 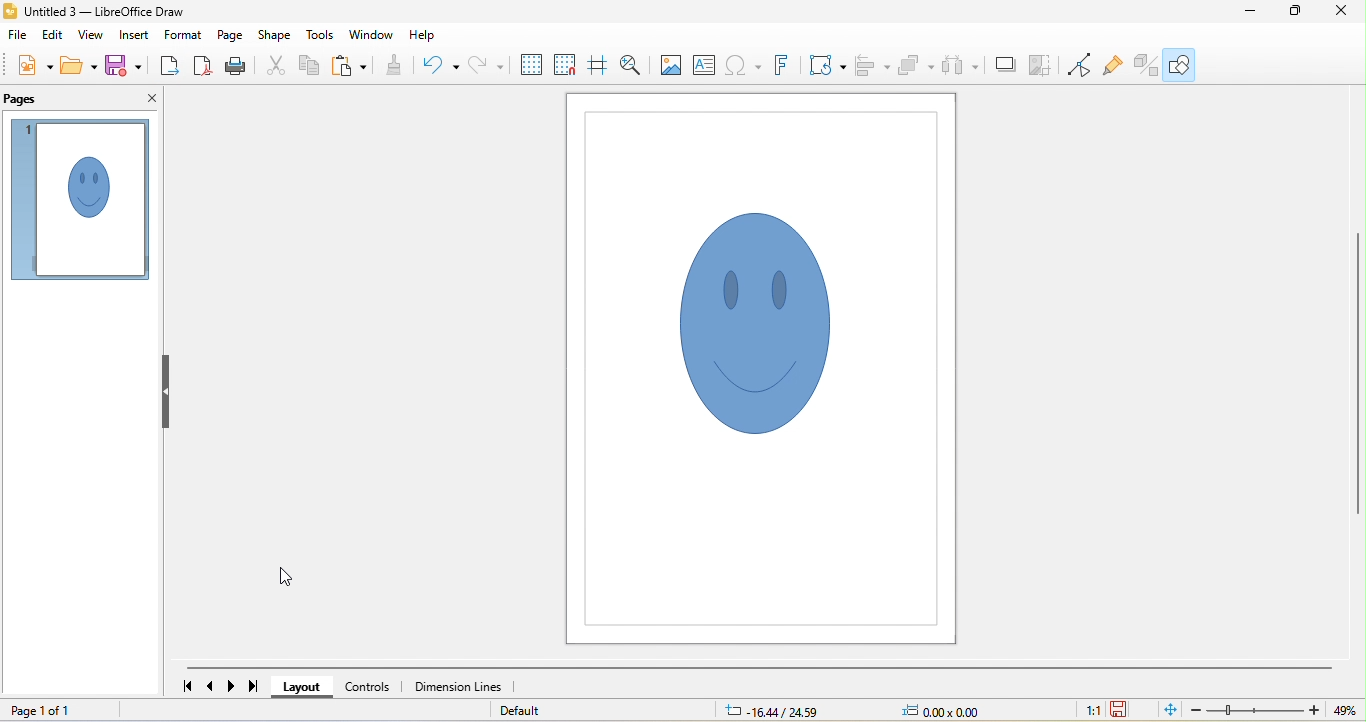 I want to click on edit, so click(x=53, y=36).